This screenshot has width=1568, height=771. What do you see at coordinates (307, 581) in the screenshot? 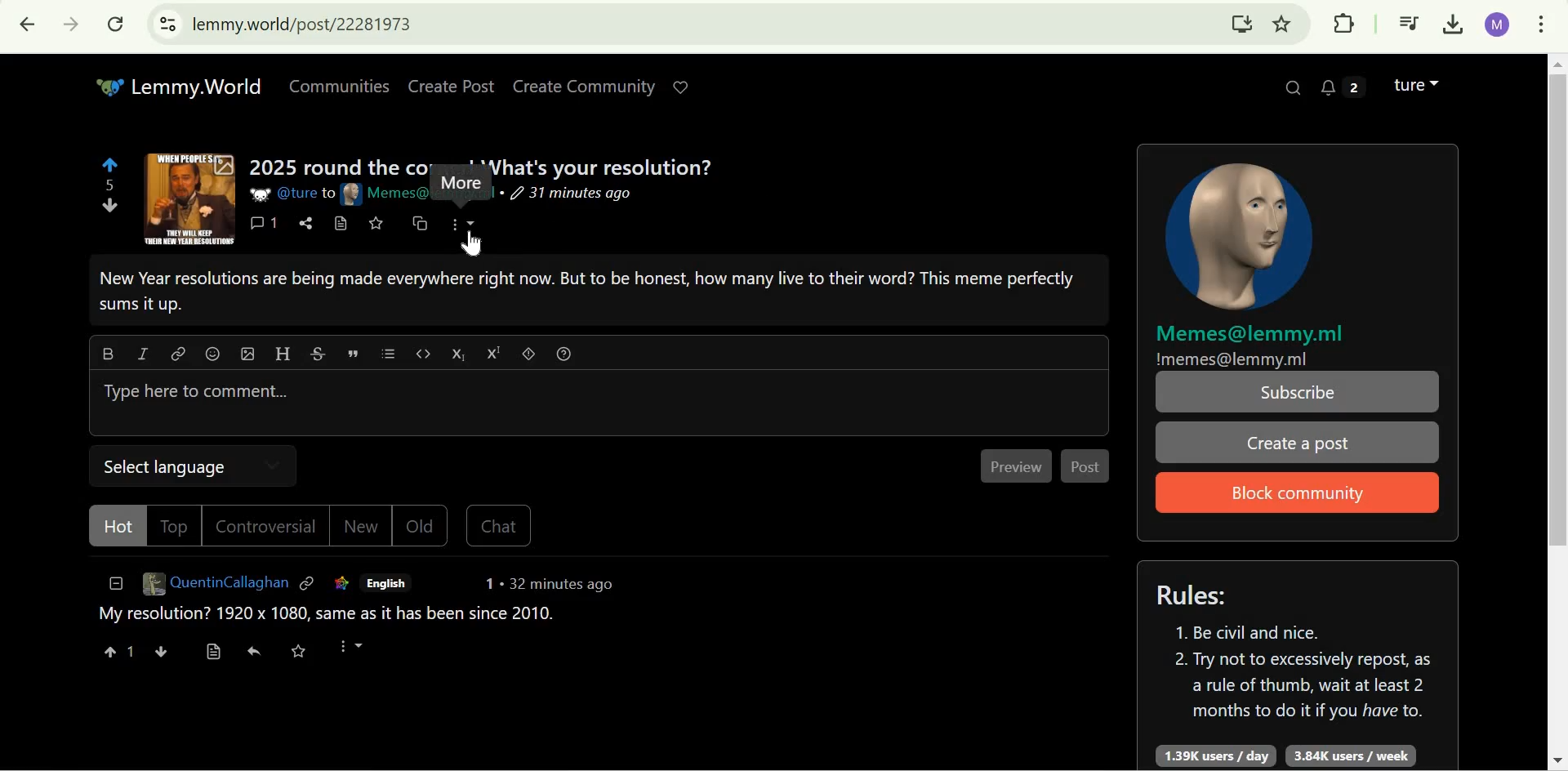
I see `link` at bounding box center [307, 581].